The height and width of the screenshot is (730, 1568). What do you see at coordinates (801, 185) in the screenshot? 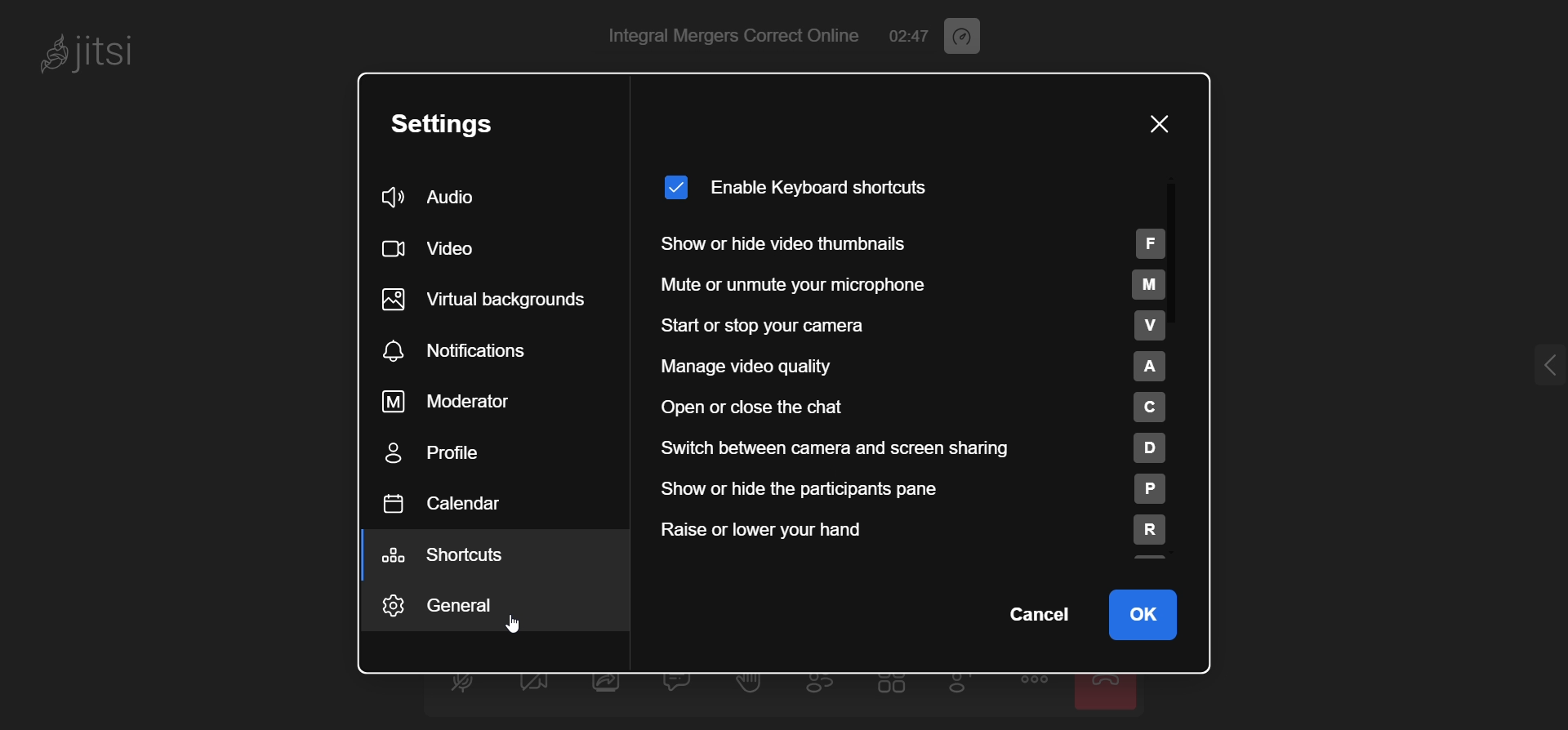
I see `enable keyboard shortcuts` at bounding box center [801, 185].